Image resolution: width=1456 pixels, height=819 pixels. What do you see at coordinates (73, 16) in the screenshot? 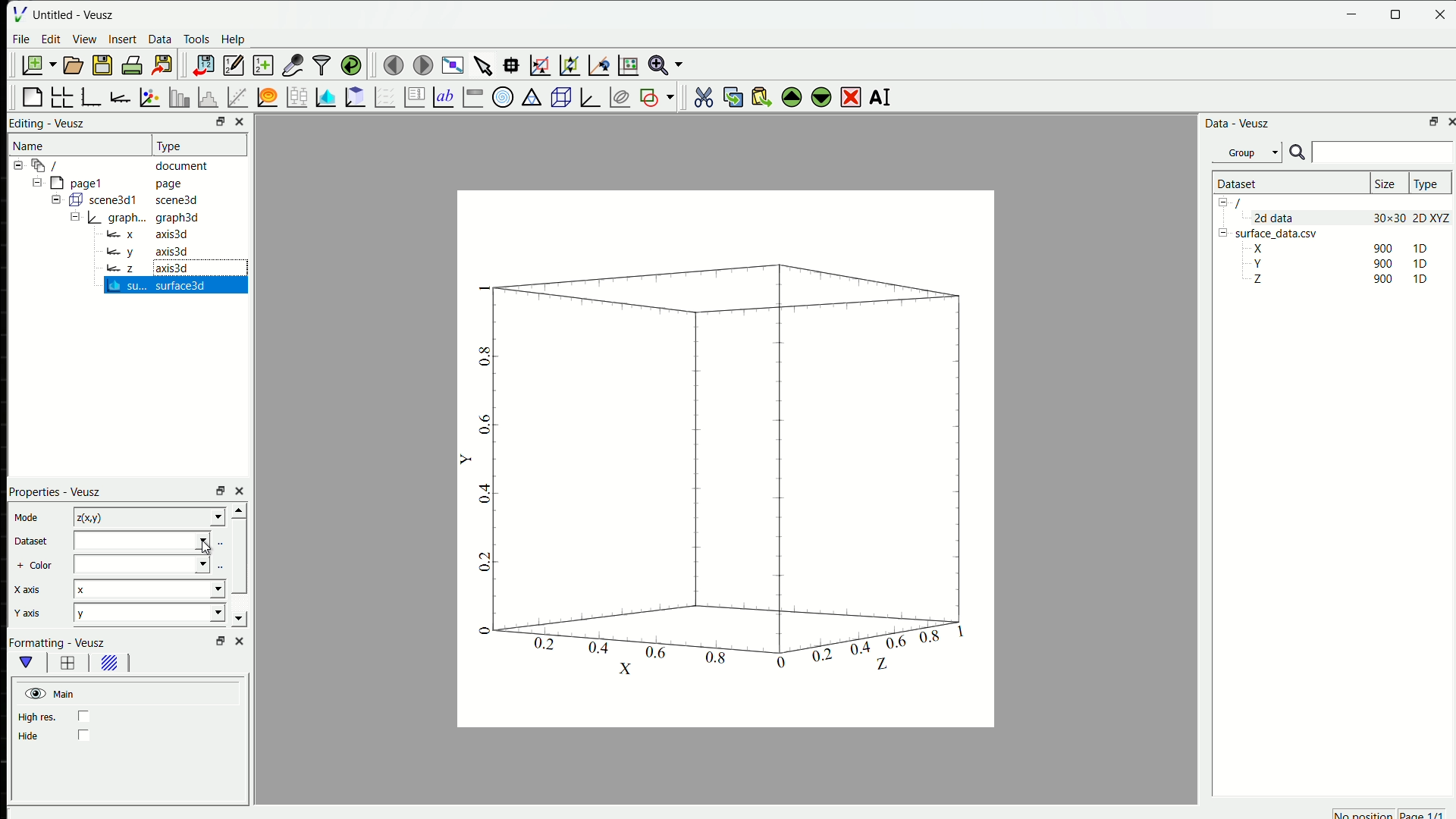
I see `Untitled - Veusz` at bounding box center [73, 16].